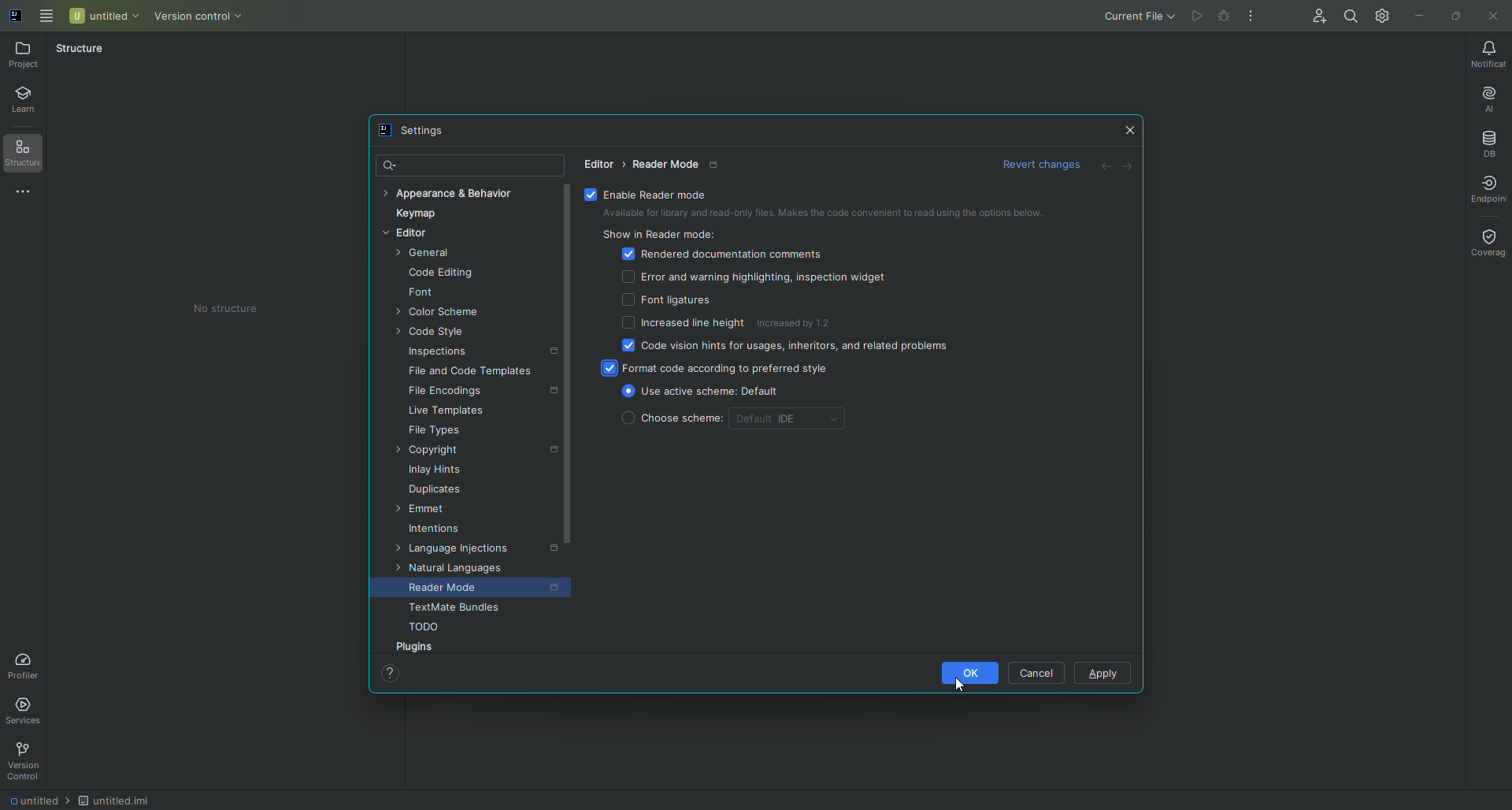  What do you see at coordinates (447, 610) in the screenshot?
I see `Textmate bundles` at bounding box center [447, 610].